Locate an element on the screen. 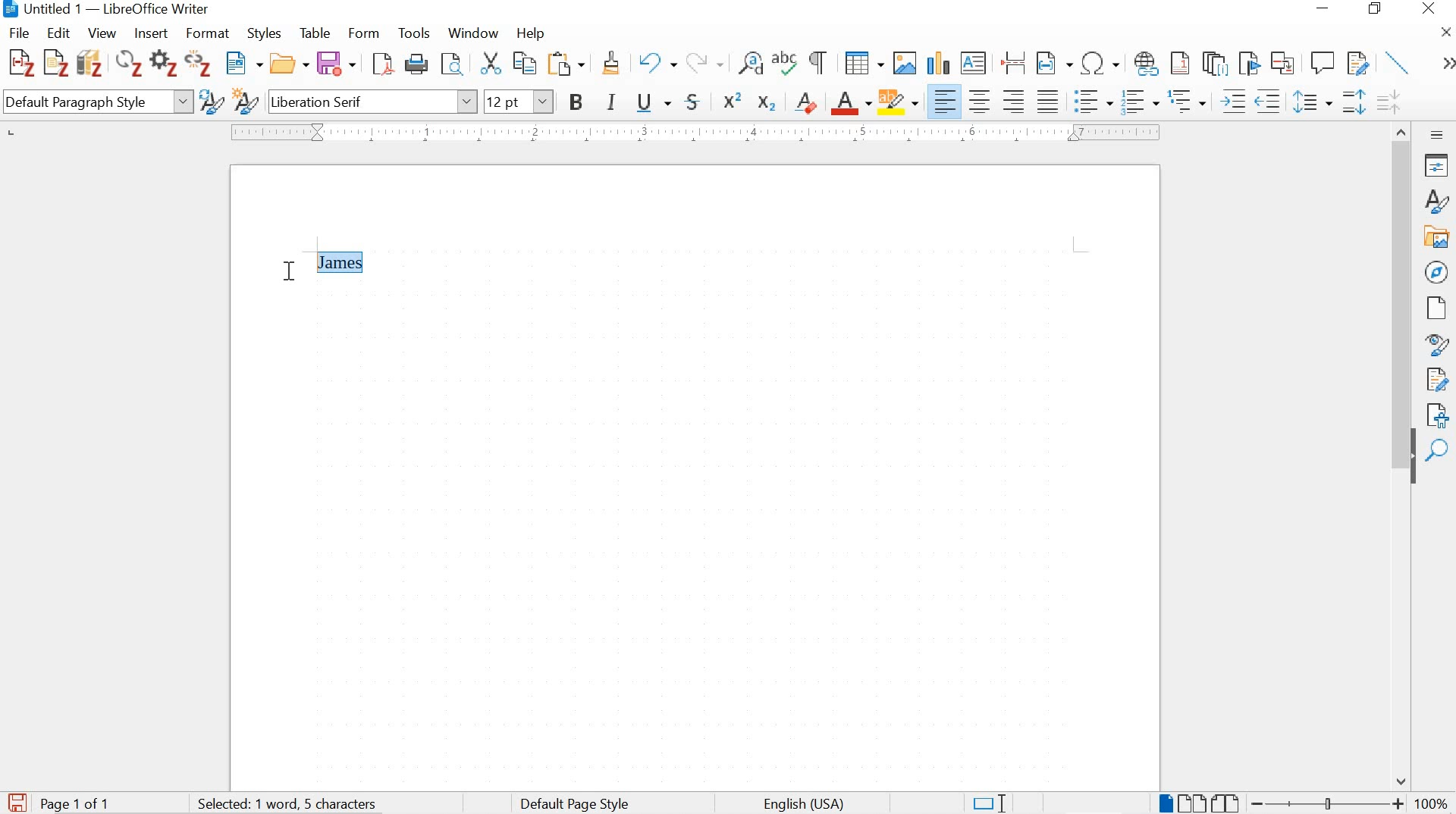 This screenshot has height=814, width=1456. undo is located at coordinates (656, 64).